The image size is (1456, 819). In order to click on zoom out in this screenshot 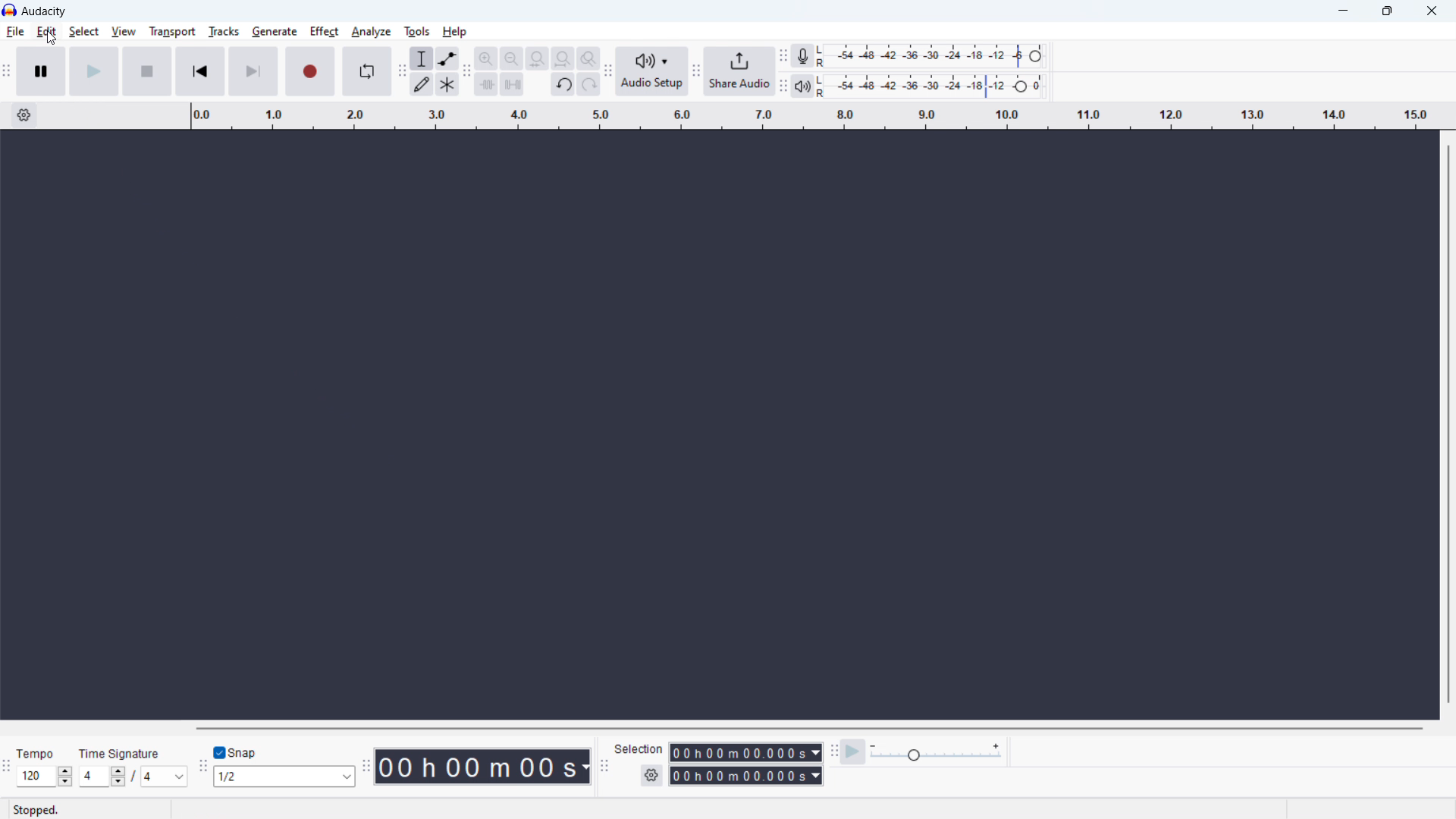, I will do `click(511, 58)`.